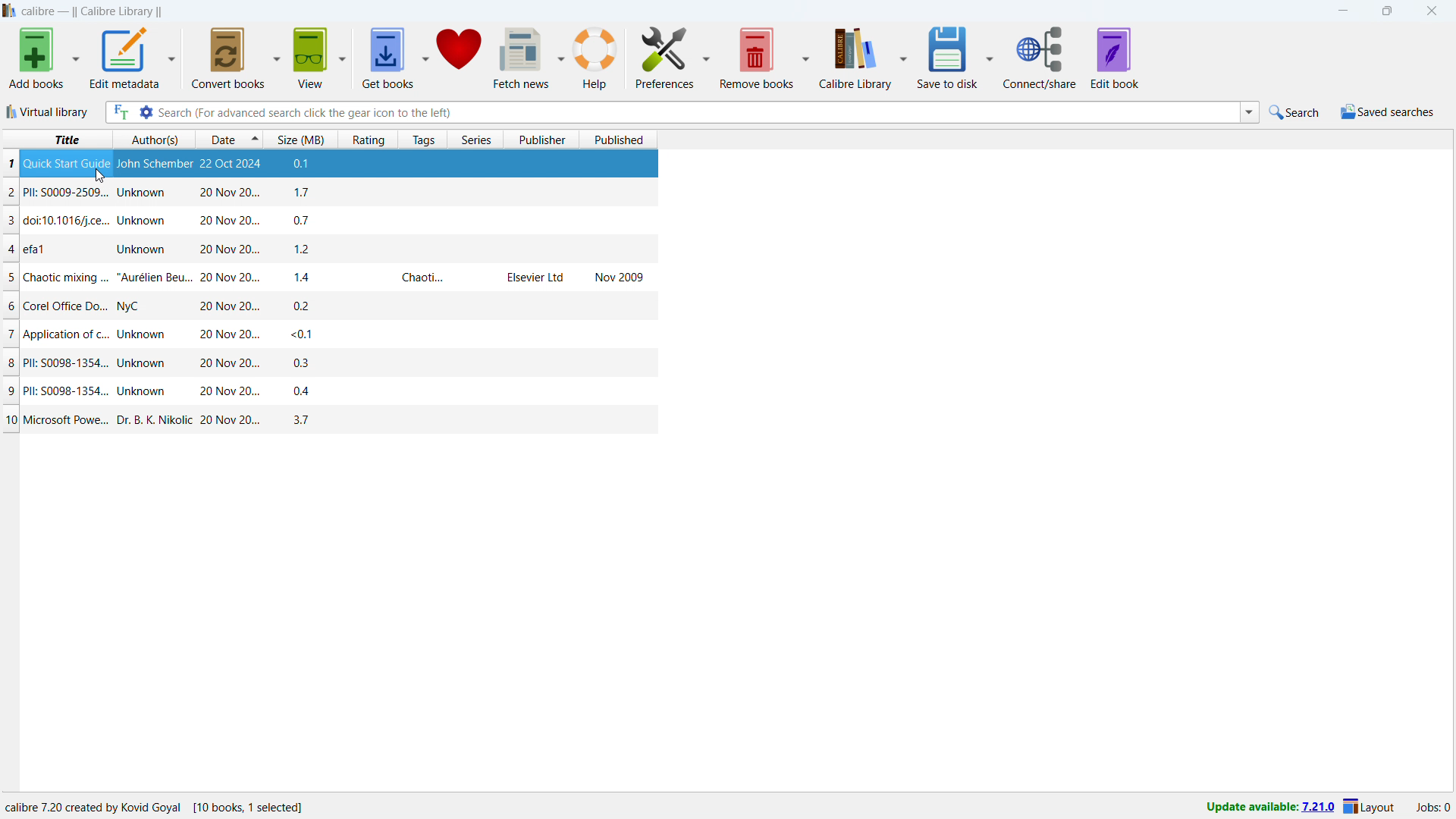 Image resolution: width=1456 pixels, height=819 pixels. What do you see at coordinates (1042, 58) in the screenshot?
I see `connect/share` at bounding box center [1042, 58].